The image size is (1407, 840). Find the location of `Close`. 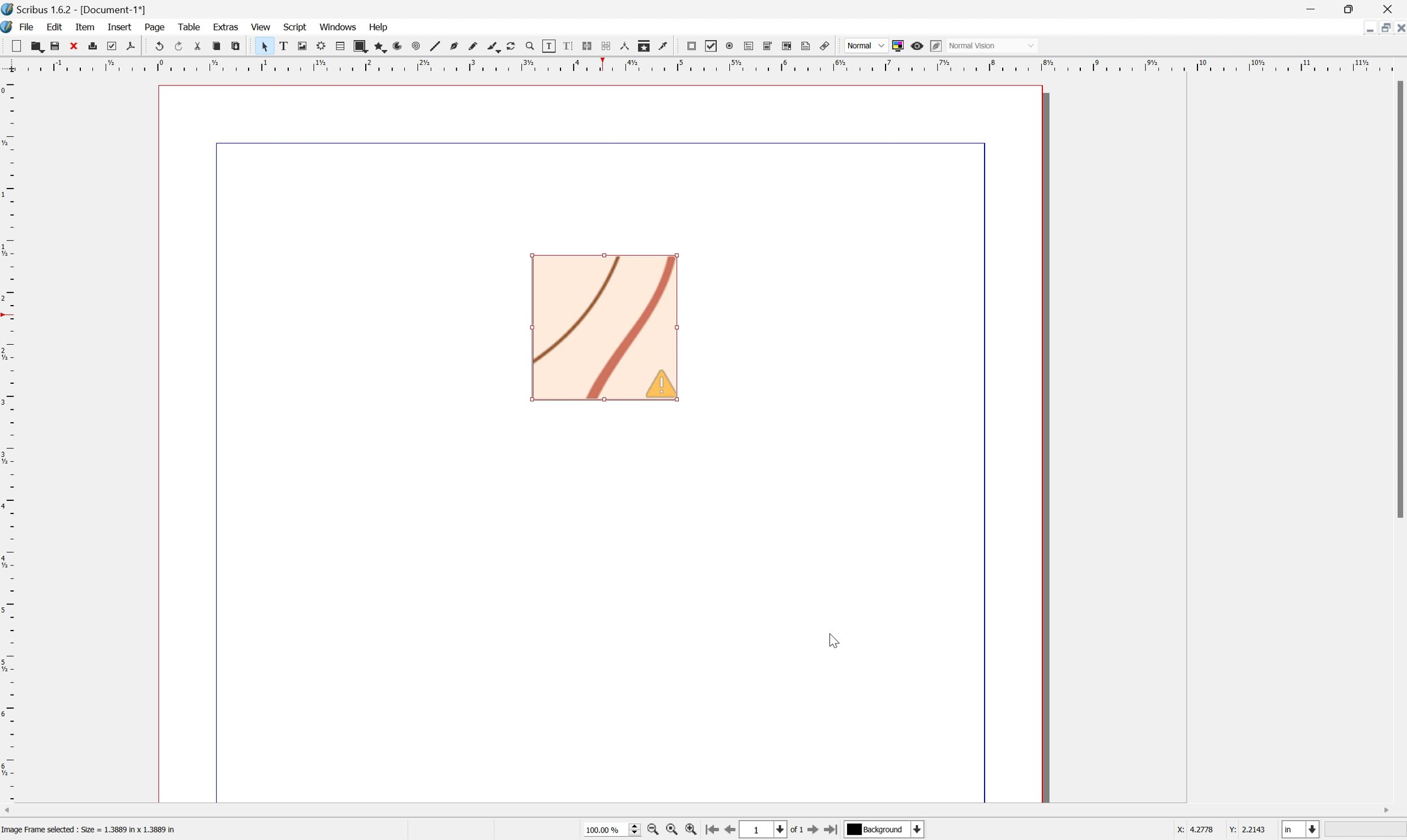

Close is located at coordinates (1398, 29).